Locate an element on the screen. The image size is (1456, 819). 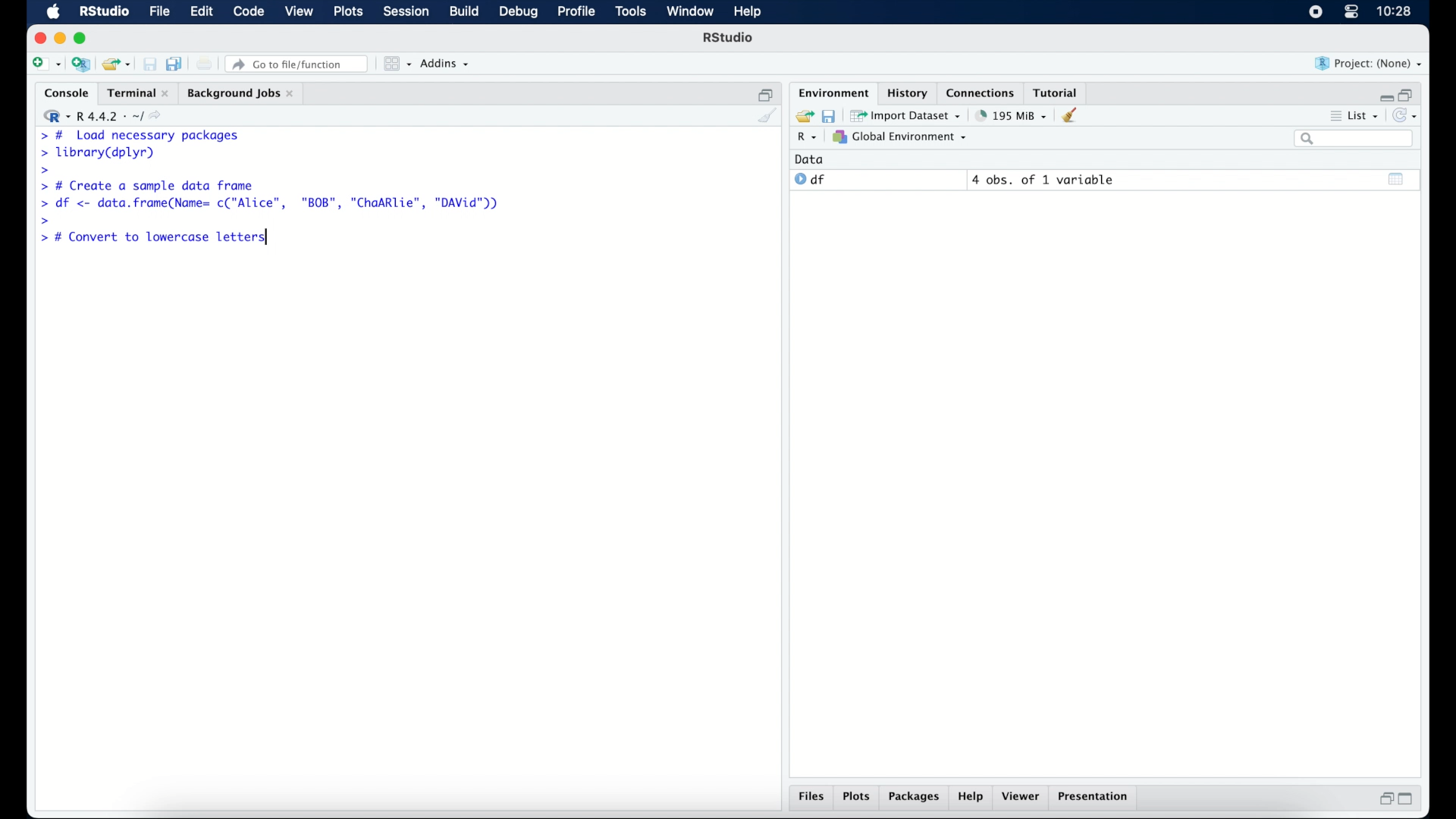
command prompt is located at coordinates (45, 220).